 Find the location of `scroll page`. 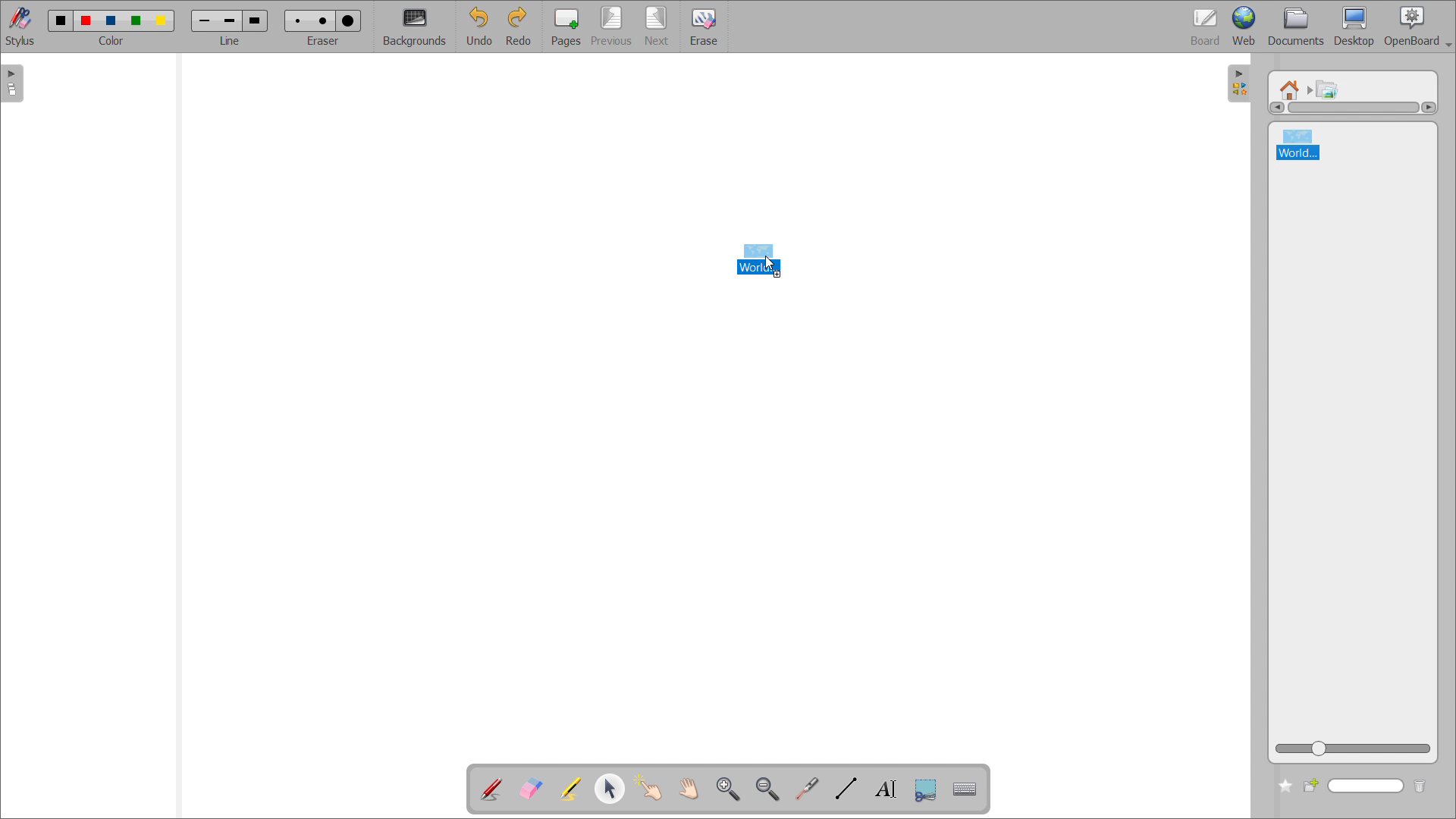

scroll page is located at coordinates (688, 789).